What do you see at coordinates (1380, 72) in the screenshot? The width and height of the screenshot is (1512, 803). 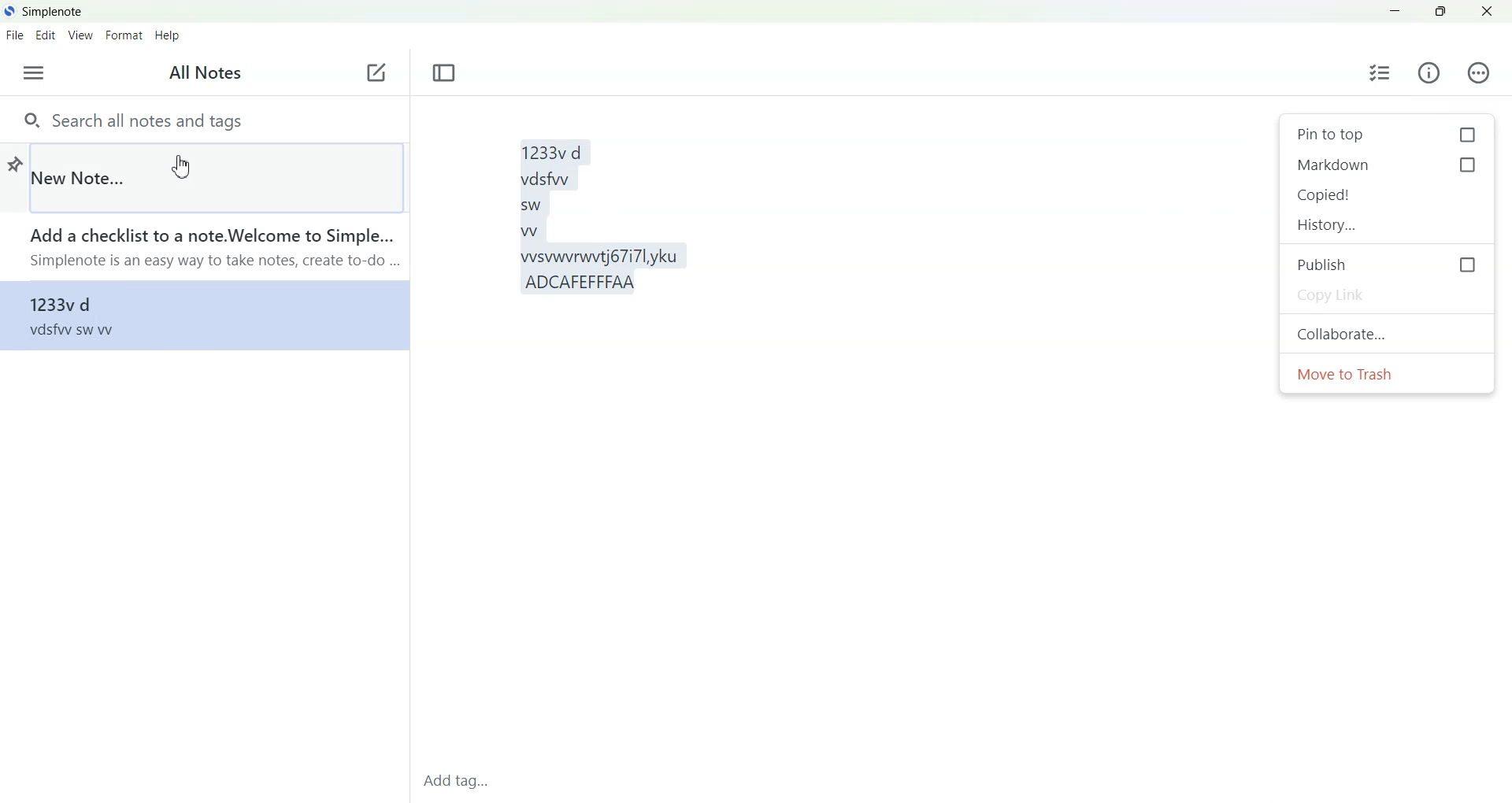 I see `Insert Checklist` at bounding box center [1380, 72].